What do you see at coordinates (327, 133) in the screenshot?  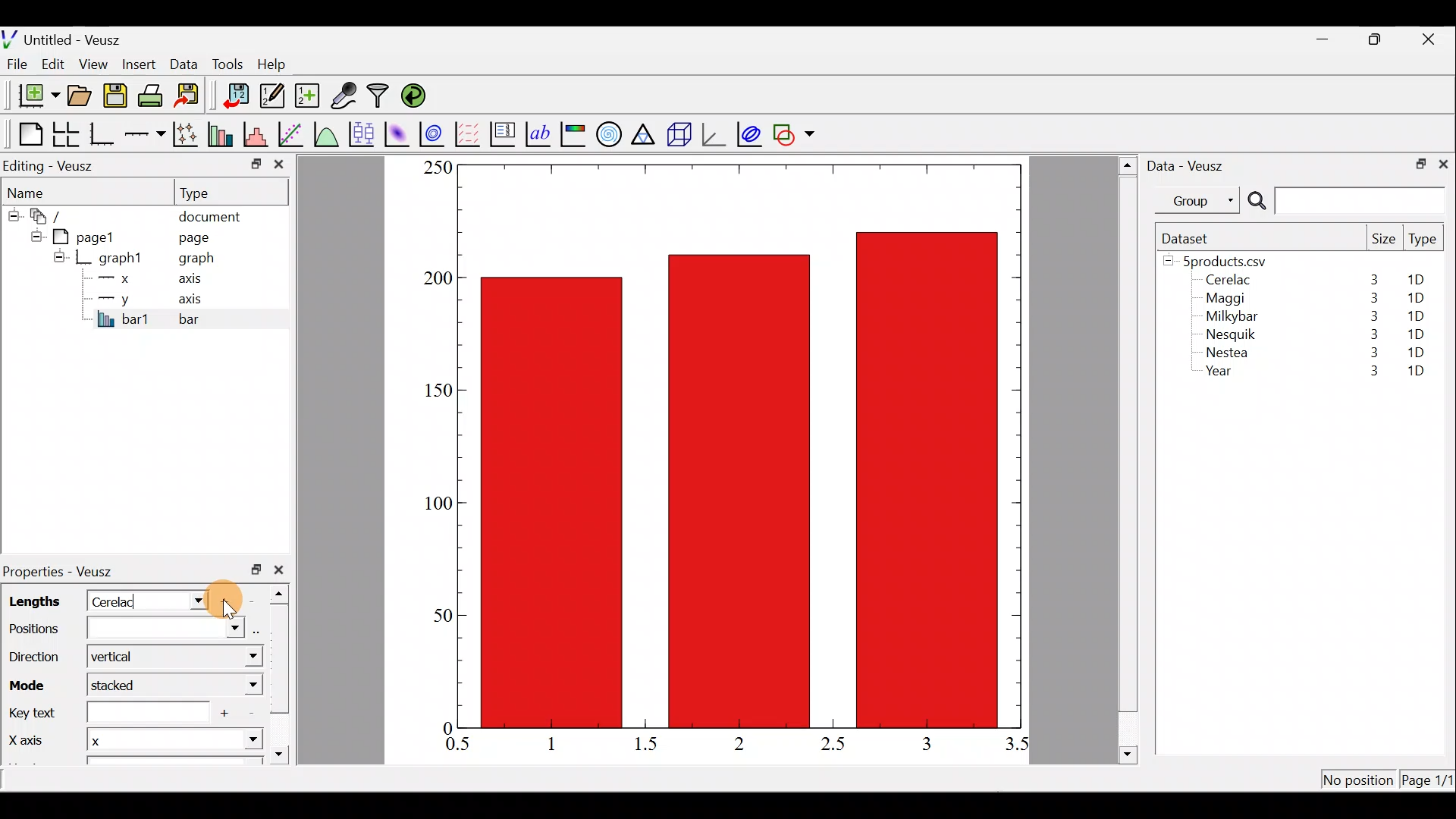 I see `Plot a function` at bounding box center [327, 133].